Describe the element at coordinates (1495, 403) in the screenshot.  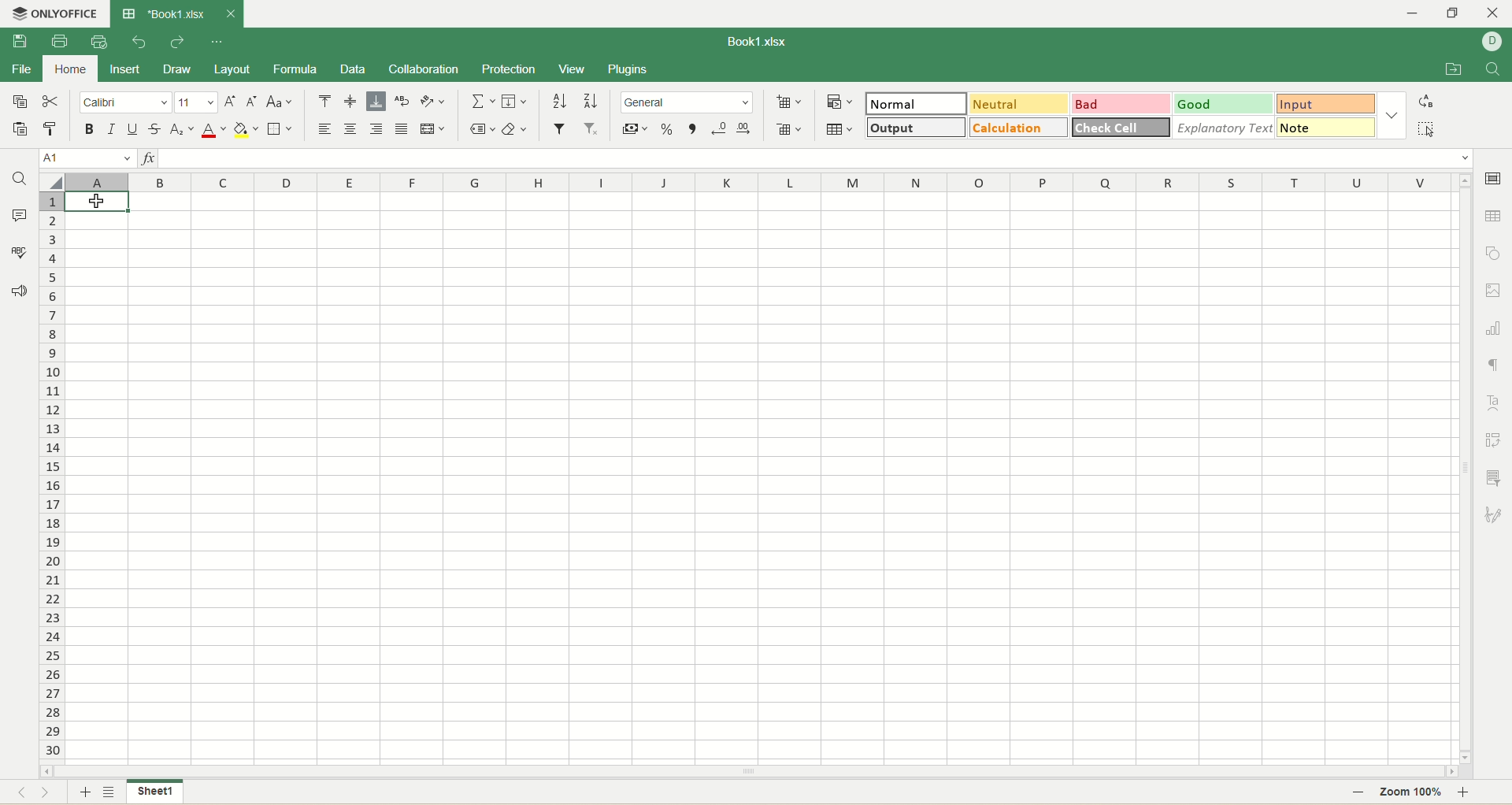
I see `text art settings` at that location.